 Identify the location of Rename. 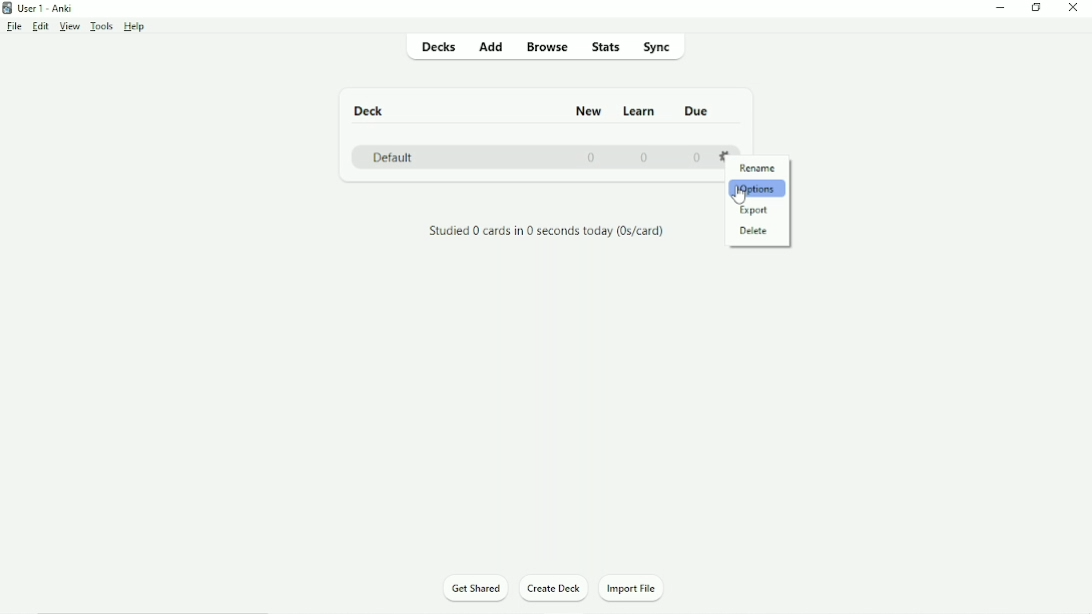
(758, 169).